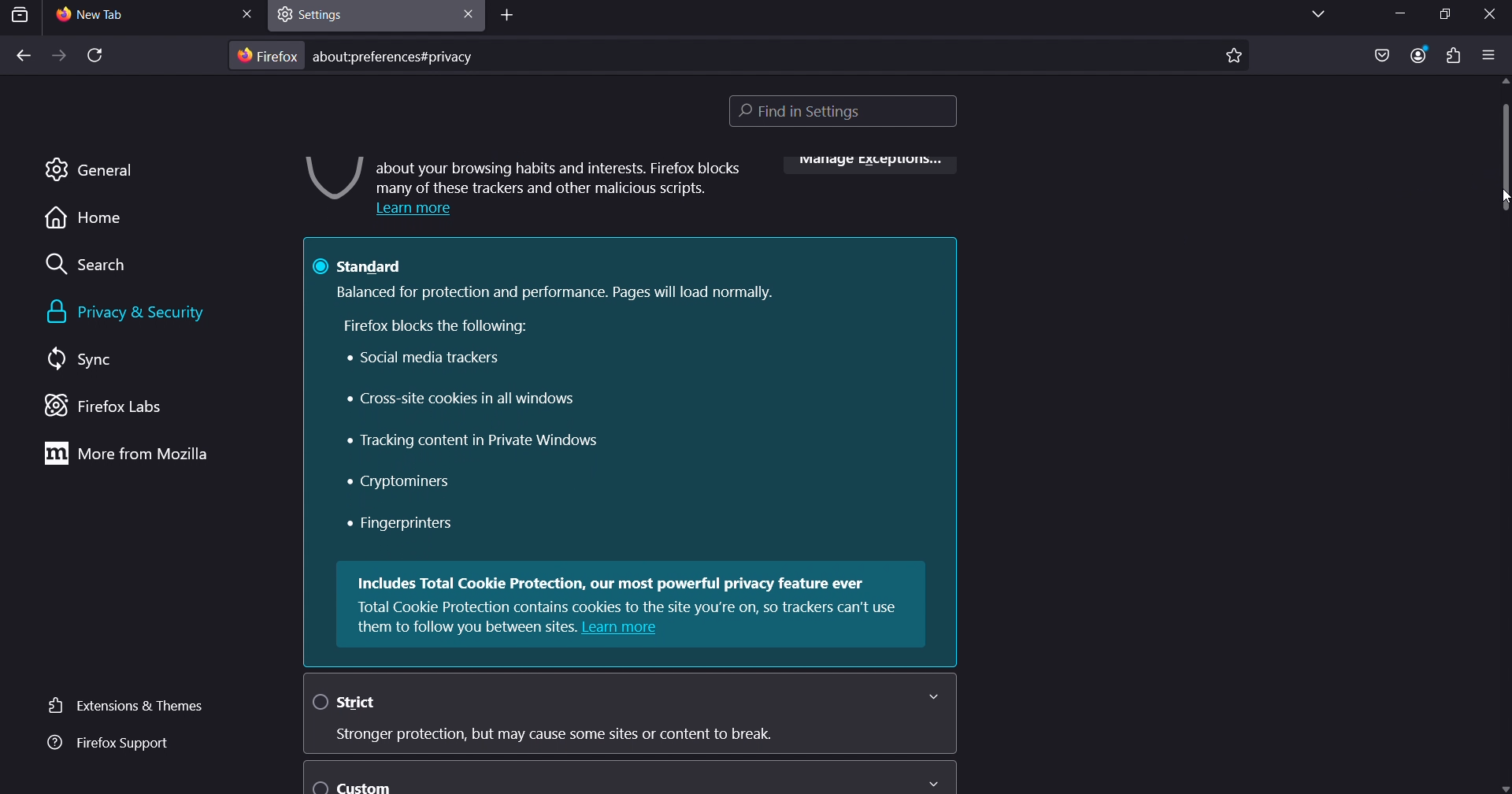  Describe the element at coordinates (1234, 54) in the screenshot. I see `bookmark` at that location.